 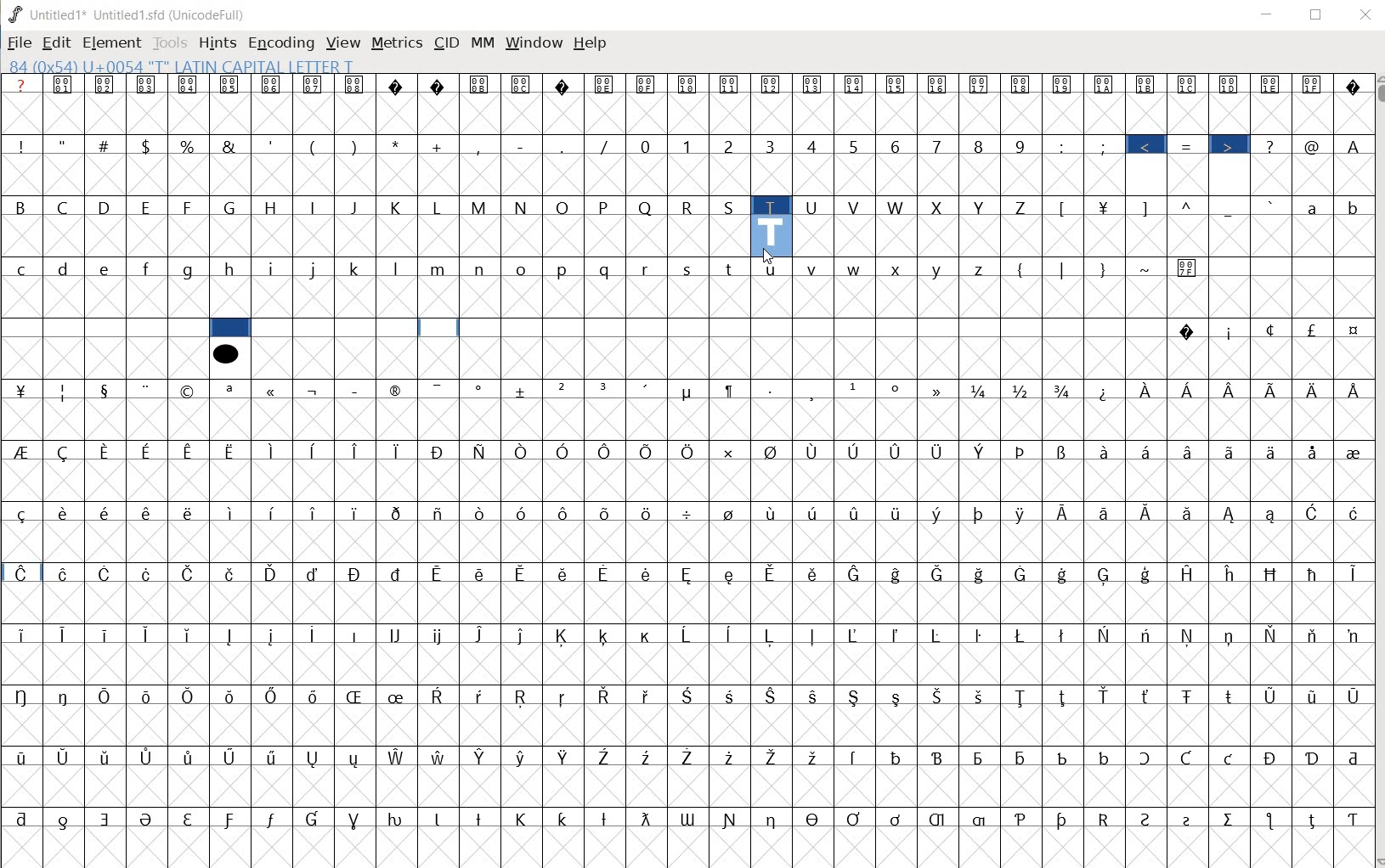 What do you see at coordinates (1148, 269) in the screenshot?
I see `~` at bounding box center [1148, 269].